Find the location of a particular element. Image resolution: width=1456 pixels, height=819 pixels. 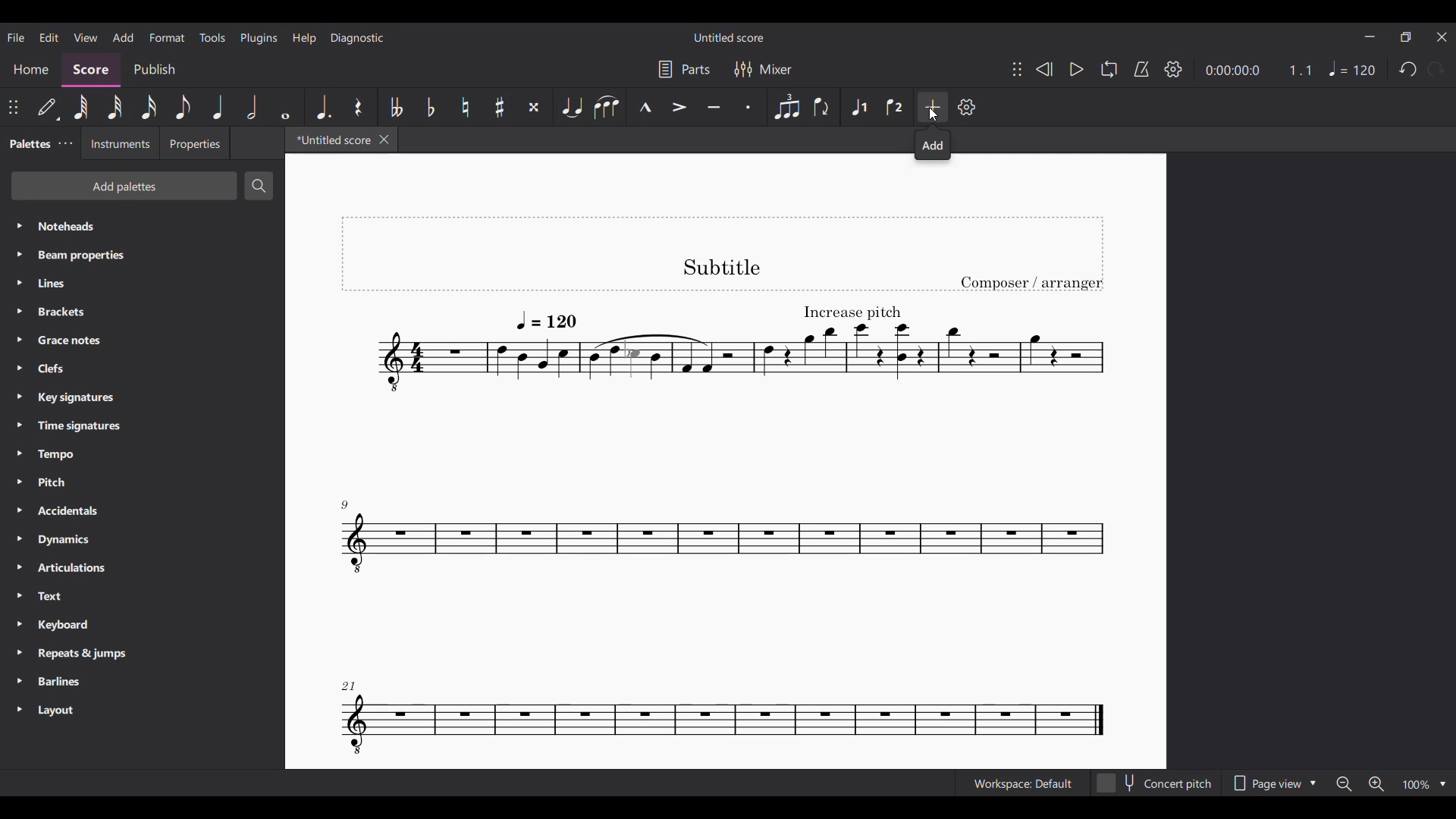

Palettes settings is located at coordinates (66, 143).